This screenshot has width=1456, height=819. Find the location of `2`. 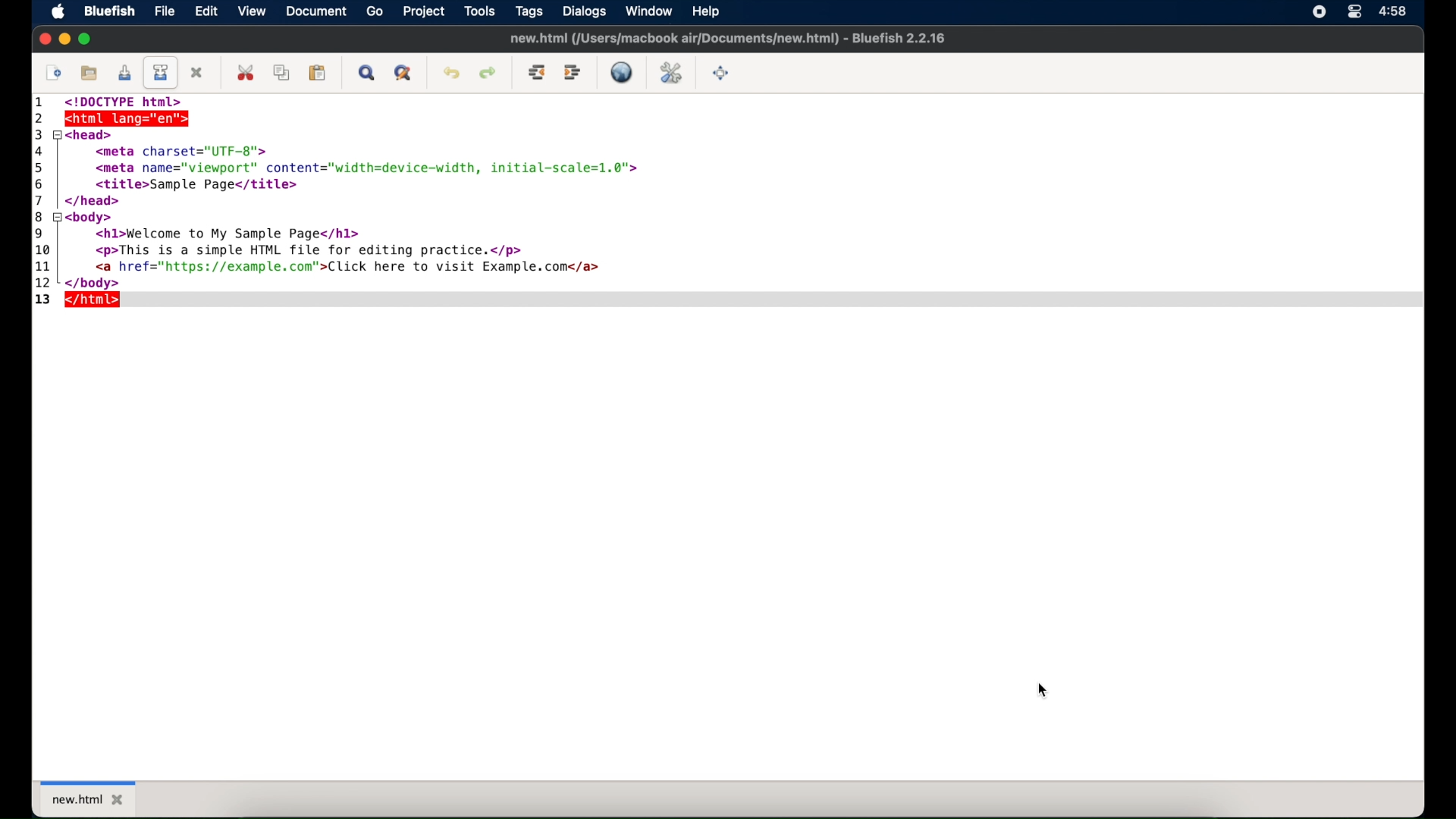

2 is located at coordinates (40, 118).